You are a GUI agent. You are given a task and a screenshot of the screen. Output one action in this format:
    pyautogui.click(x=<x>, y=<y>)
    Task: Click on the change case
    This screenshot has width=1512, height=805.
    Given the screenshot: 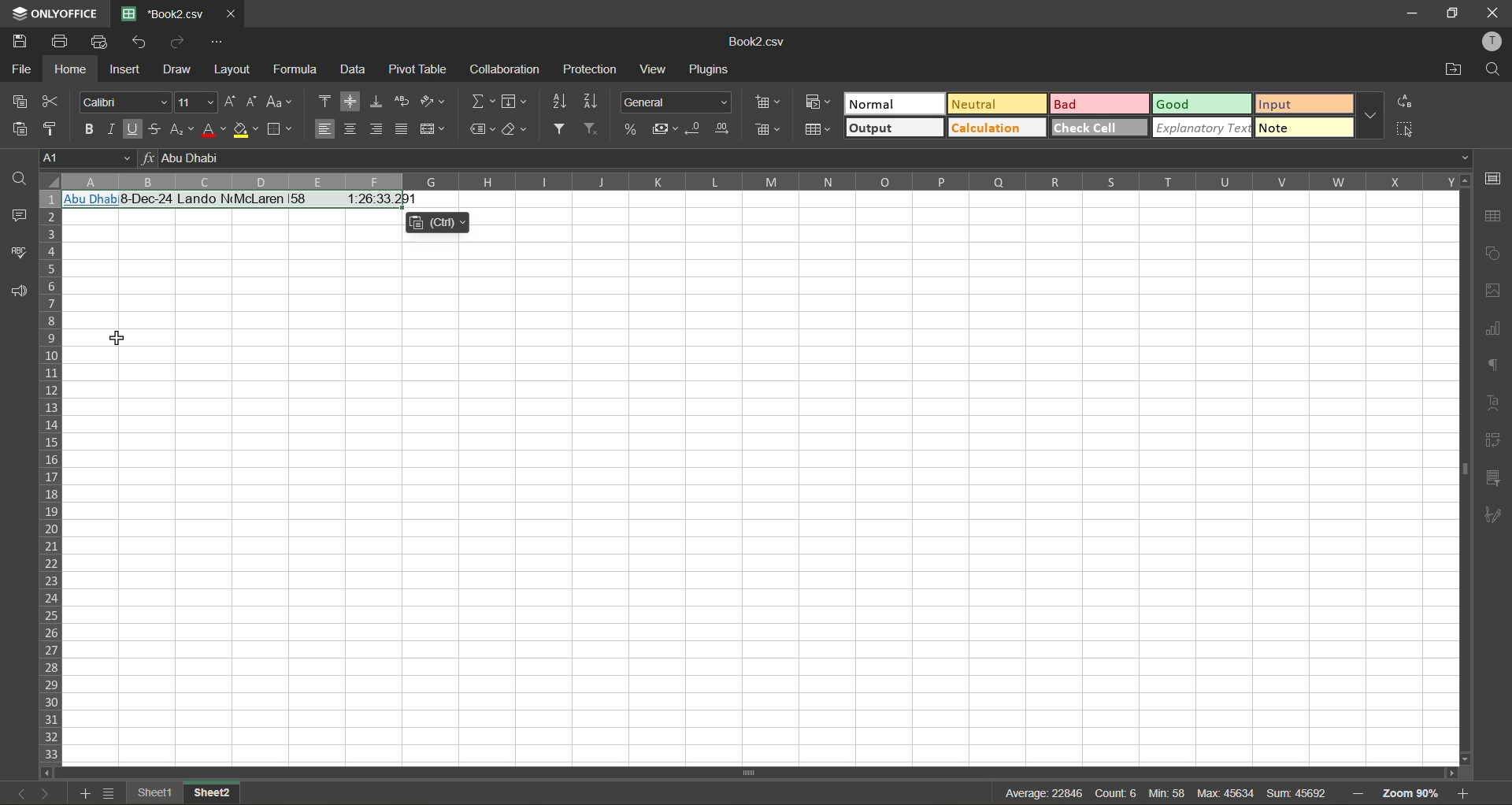 What is the action you would take?
    pyautogui.click(x=282, y=102)
    